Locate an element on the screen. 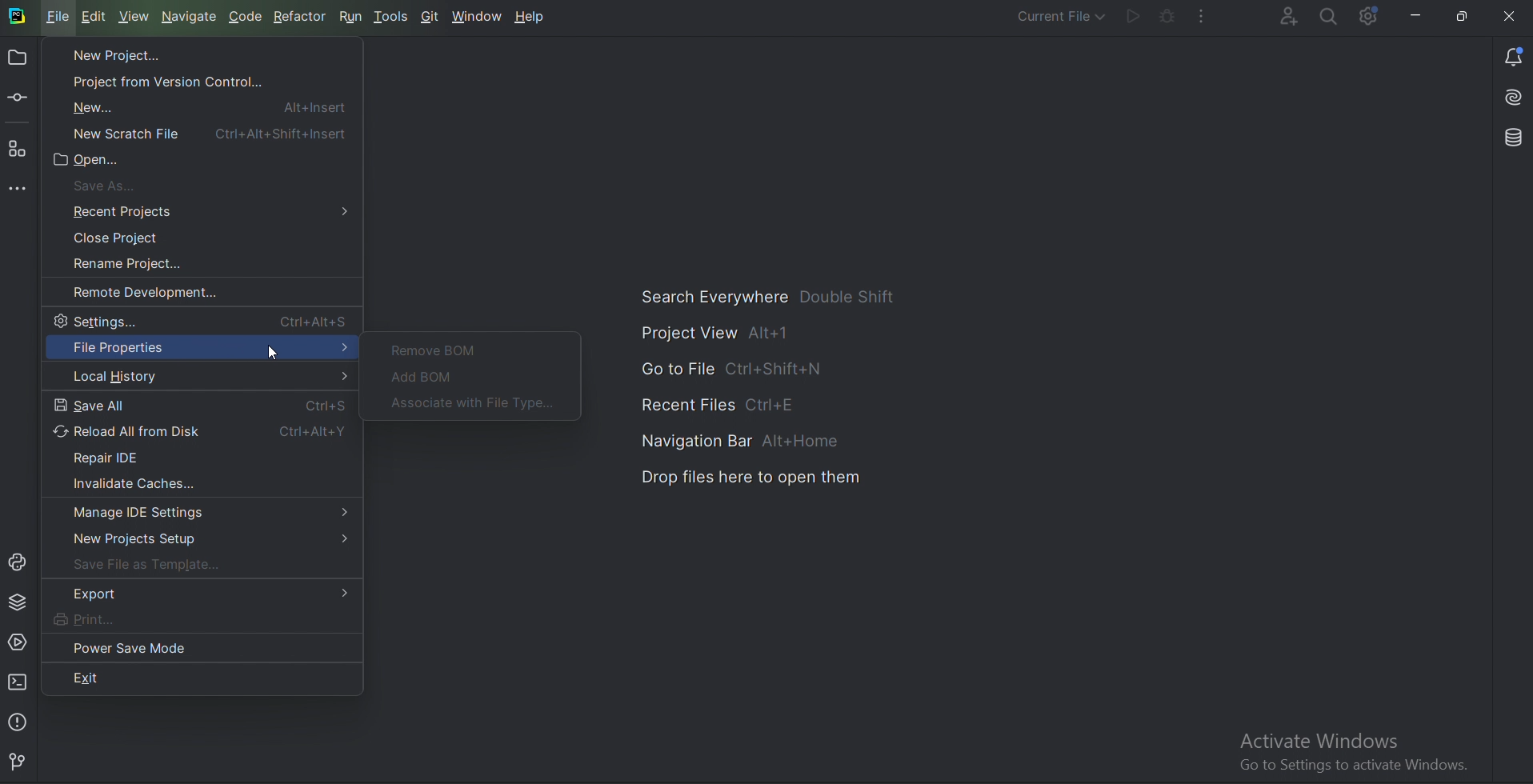  Notifications is located at coordinates (1517, 55).